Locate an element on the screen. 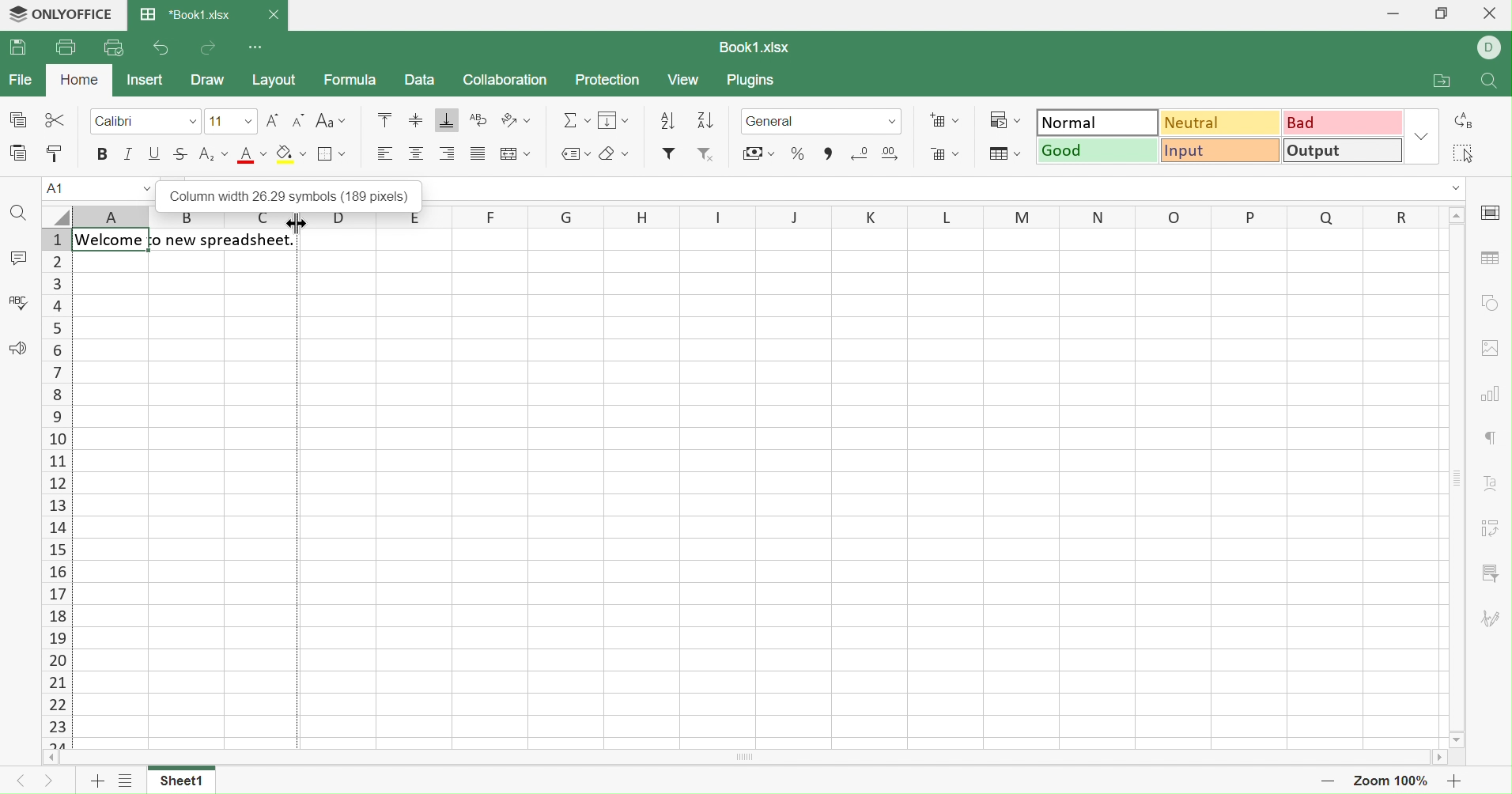  Insert is located at coordinates (148, 79).